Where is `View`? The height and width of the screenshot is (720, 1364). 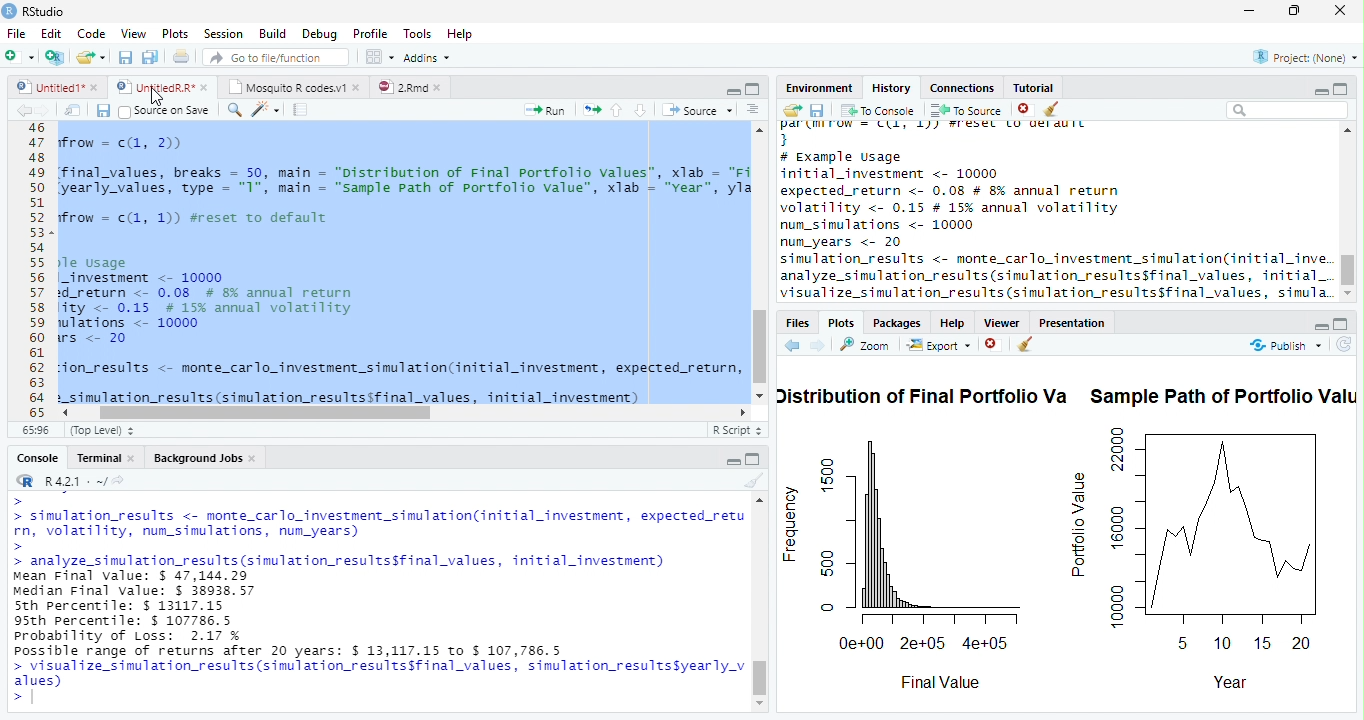 View is located at coordinates (132, 32).